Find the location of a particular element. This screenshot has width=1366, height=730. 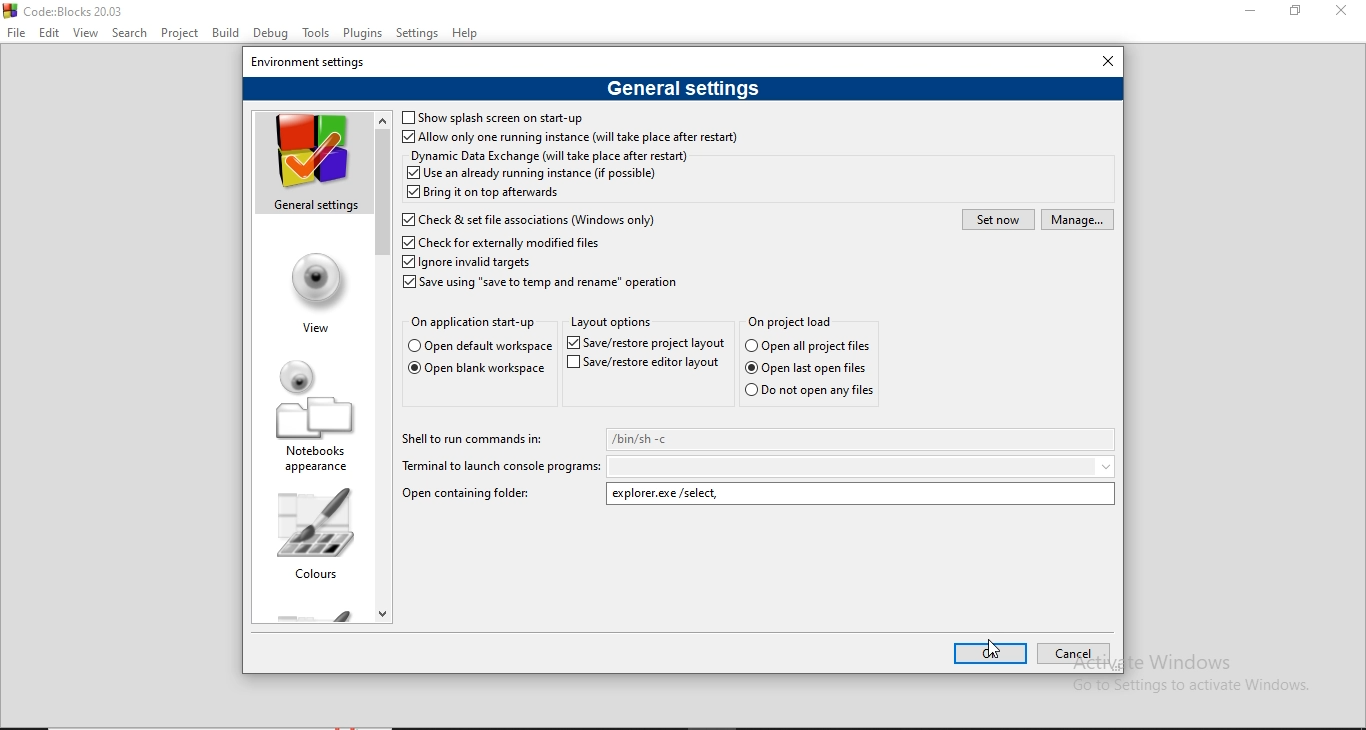

View  is located at coordinates (86, 33).